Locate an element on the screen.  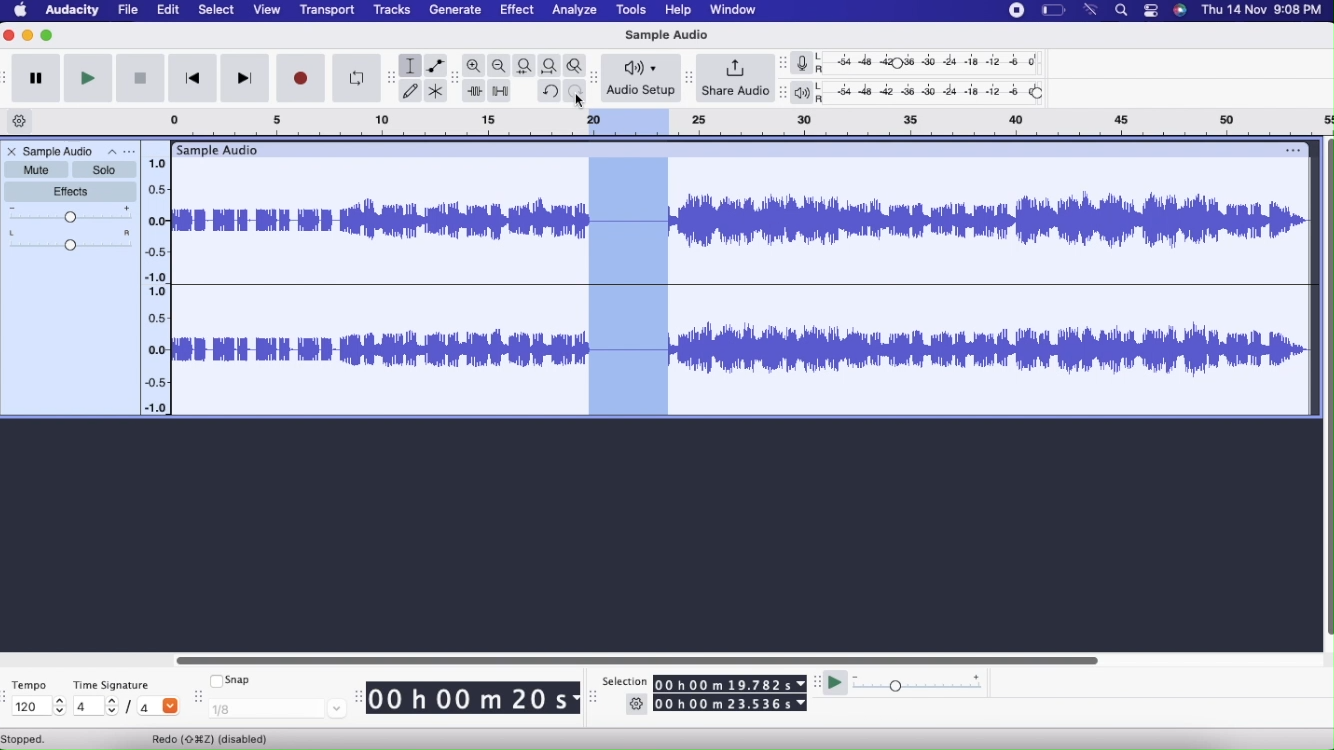
Silence audio selection is located at coordinates (502, 91).